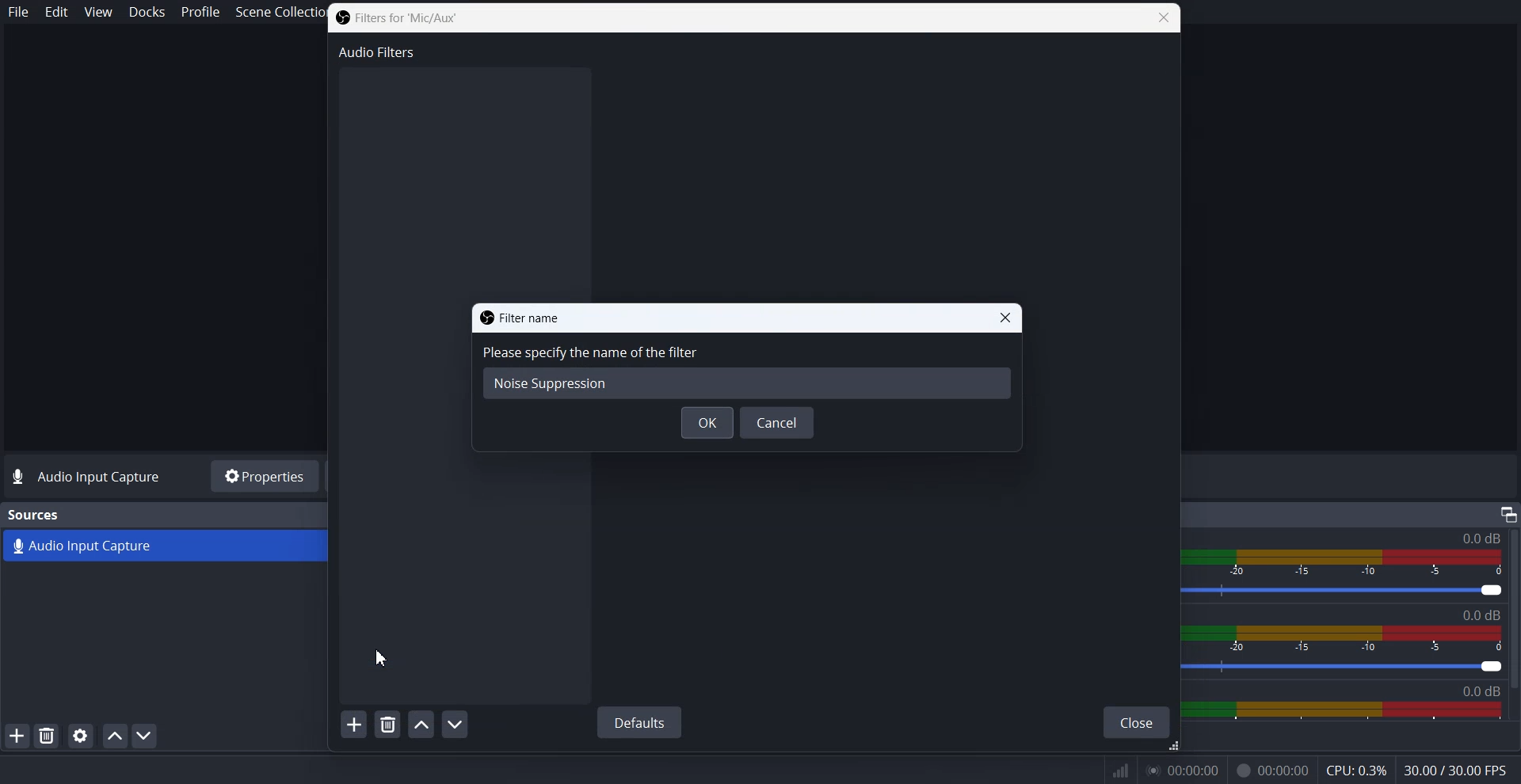 This screenshot has width=1521, height=784. I want to click on Volume level adjuster, so click(1351, 668).